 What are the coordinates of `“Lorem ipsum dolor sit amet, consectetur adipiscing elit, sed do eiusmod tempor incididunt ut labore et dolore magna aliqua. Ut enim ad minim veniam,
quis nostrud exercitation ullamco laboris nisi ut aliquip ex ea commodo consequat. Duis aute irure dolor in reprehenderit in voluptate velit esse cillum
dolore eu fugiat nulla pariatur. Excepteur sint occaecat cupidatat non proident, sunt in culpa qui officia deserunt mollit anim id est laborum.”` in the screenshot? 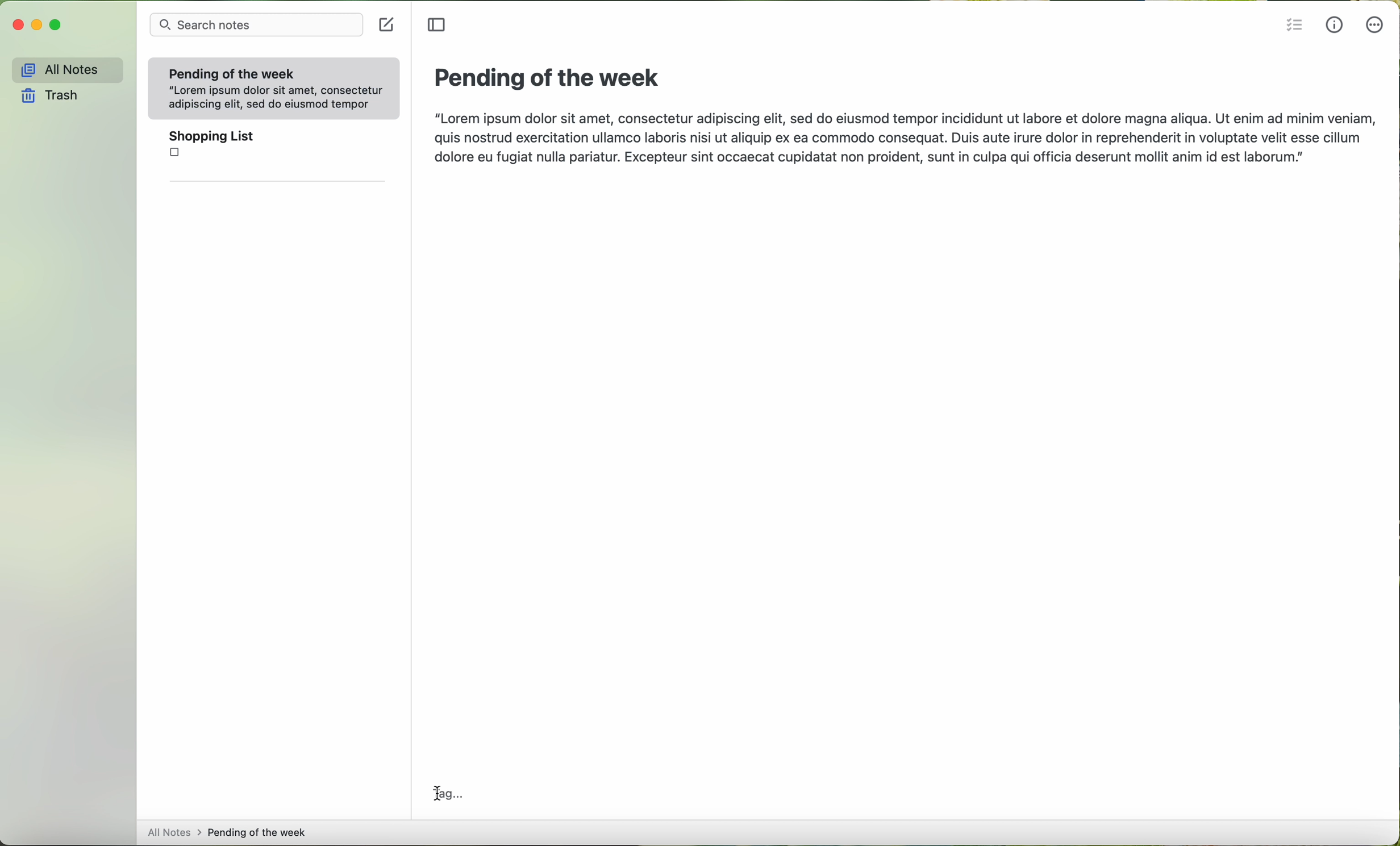 It's located at (902, 140).